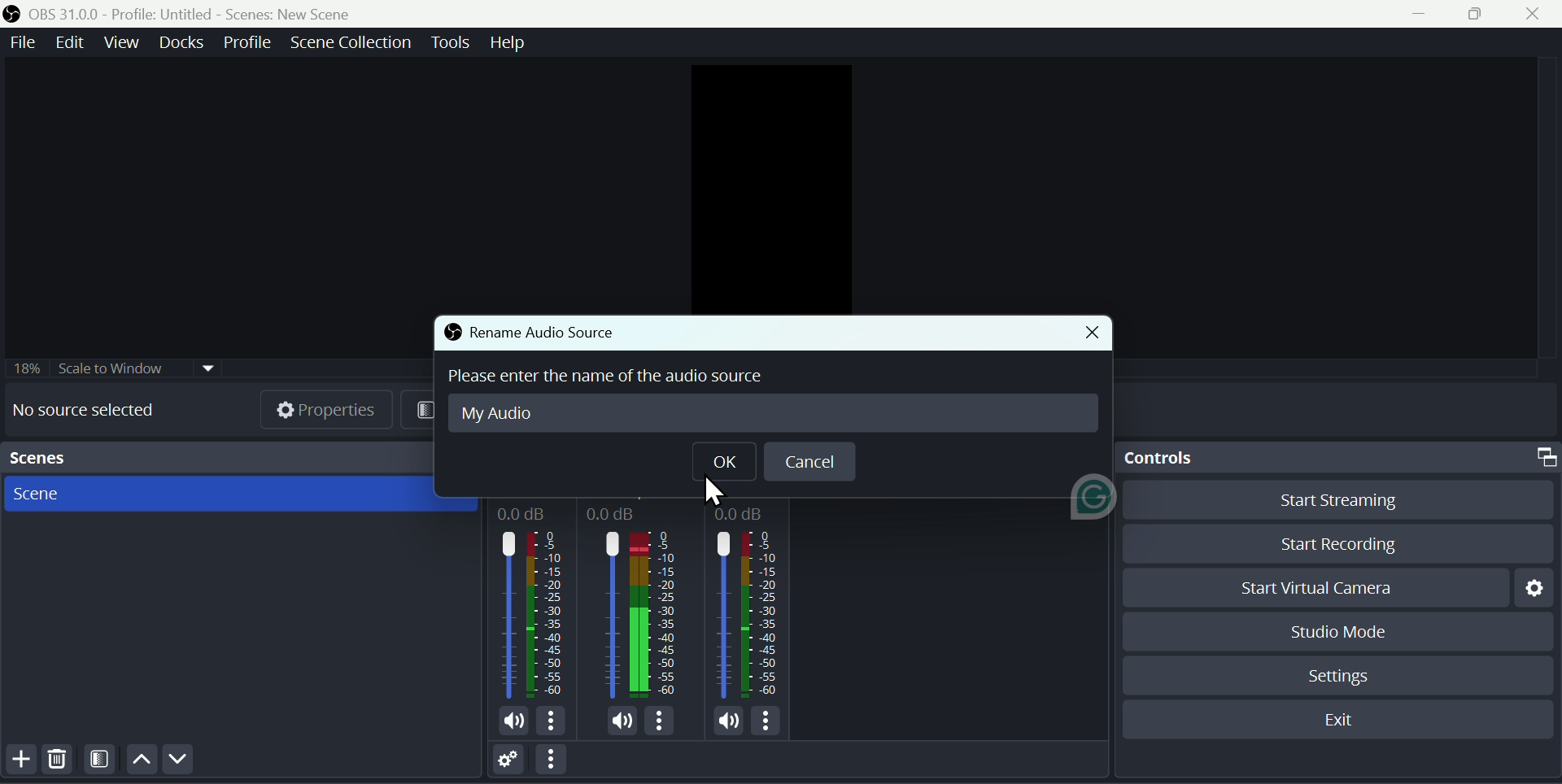  Describe the element at coordinates (808, 460) in the screenshot. I see `cancel` at that location.